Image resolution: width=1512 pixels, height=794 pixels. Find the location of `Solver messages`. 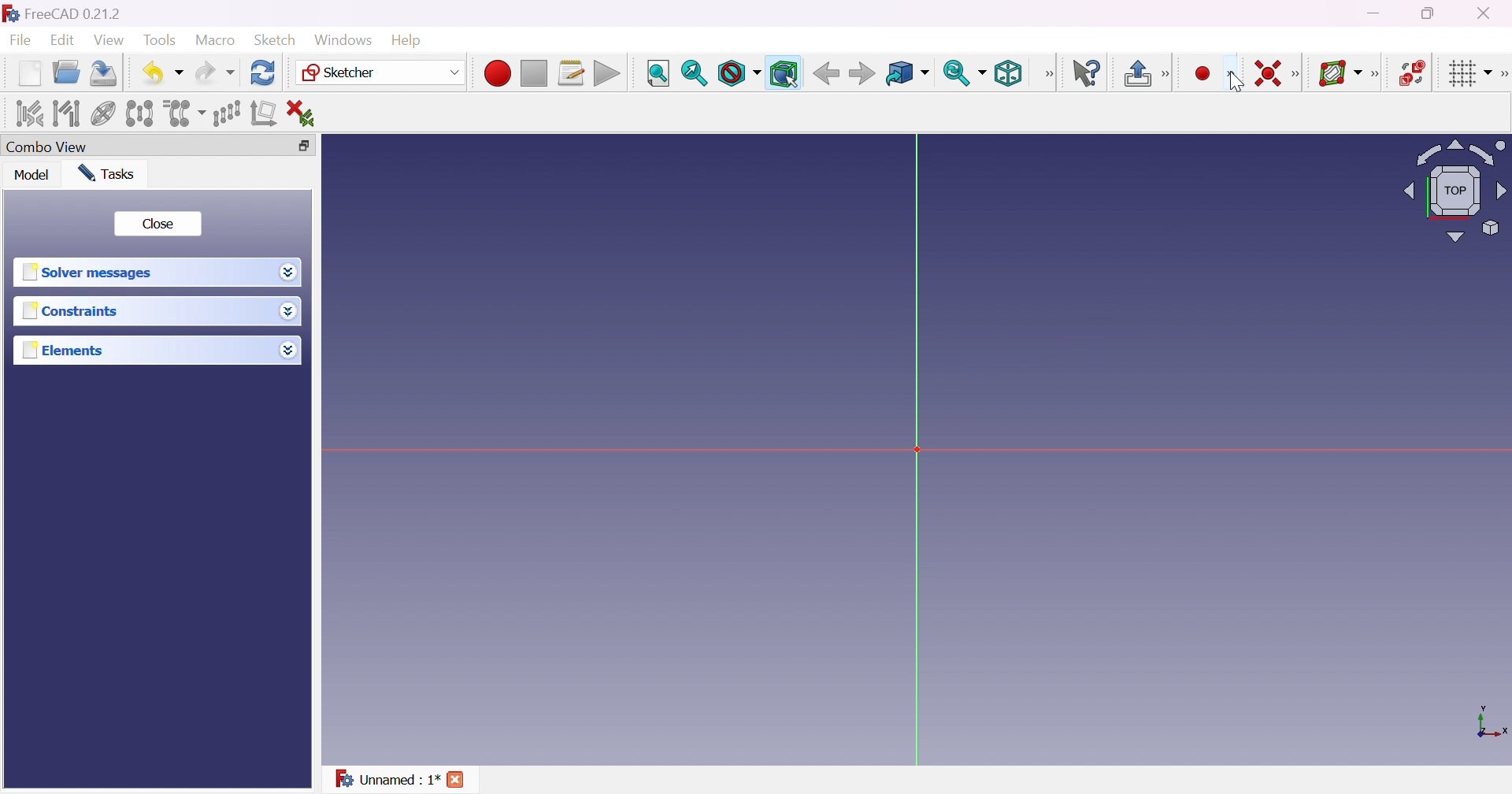

Solver messages is located at coordinates (90, 270).